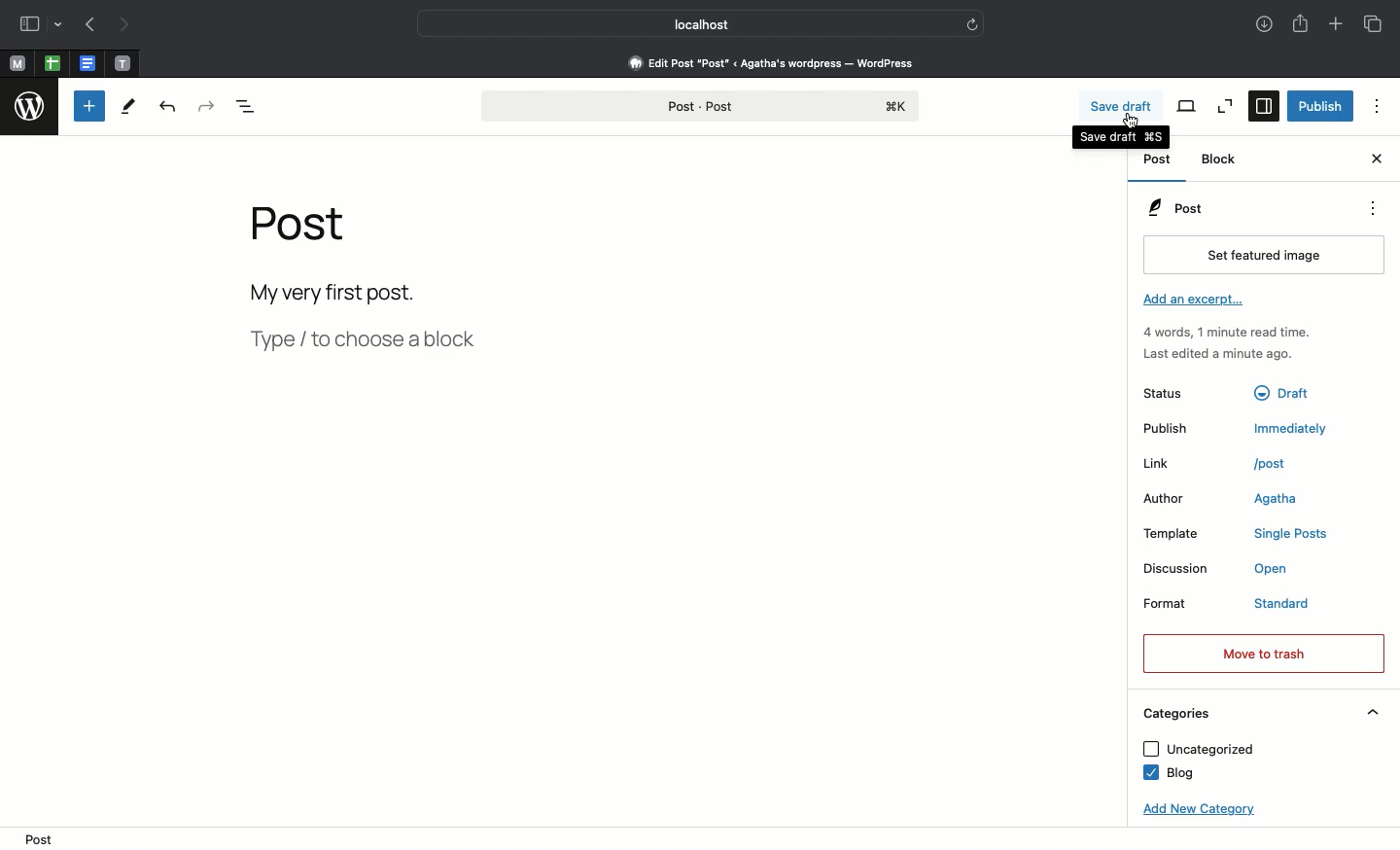  I want to click on Status, so click(1179, 392).